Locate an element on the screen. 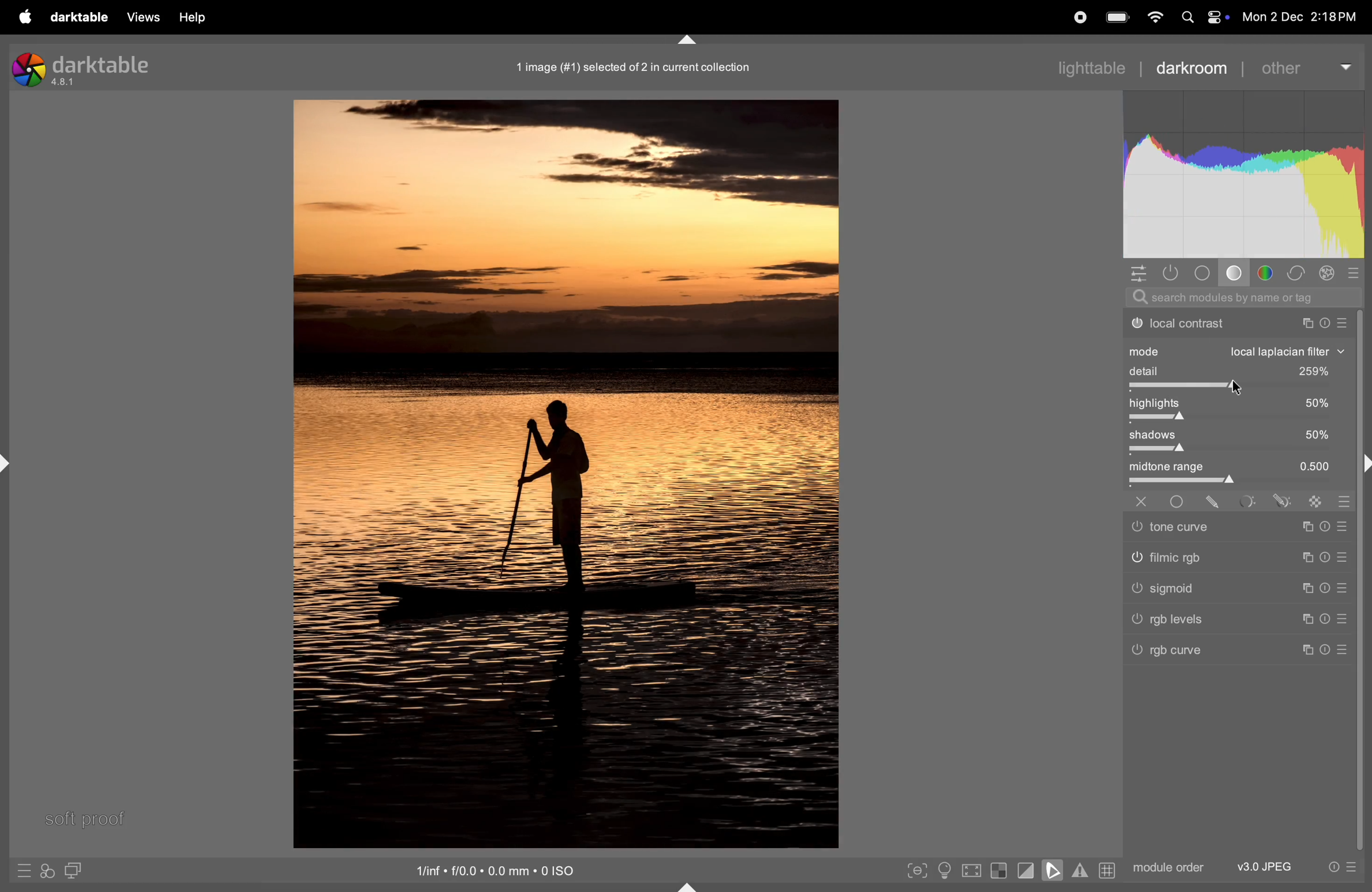 This screenshot has height=892, width=1372. sign is located at coordinates (1218, 502).